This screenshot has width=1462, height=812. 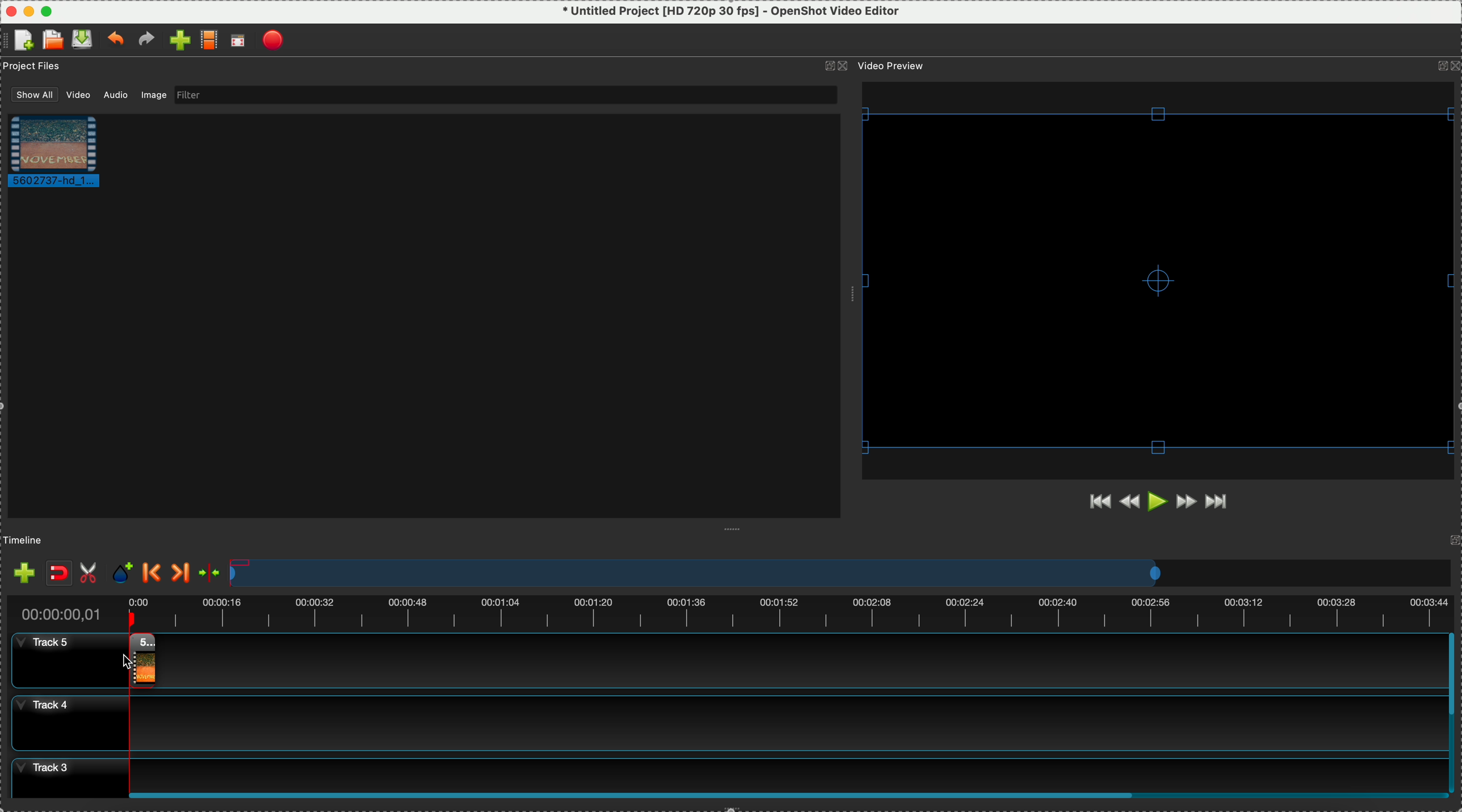 What do you see at coordinates (115, 40) in the screenshot?
I see `undo` at bounding box center [115, 40].